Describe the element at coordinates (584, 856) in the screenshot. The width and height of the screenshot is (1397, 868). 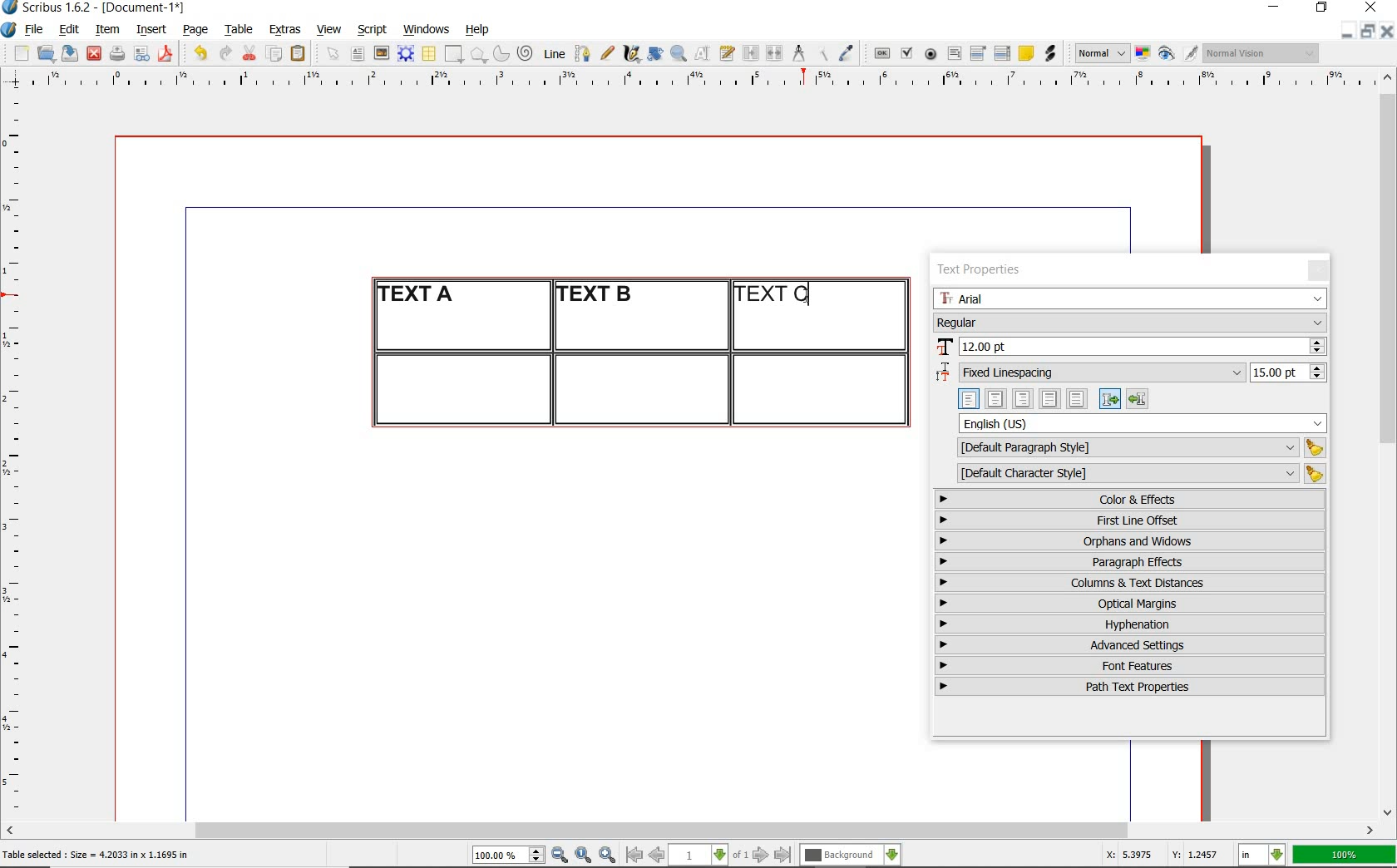
I see `zoom to` at that location.